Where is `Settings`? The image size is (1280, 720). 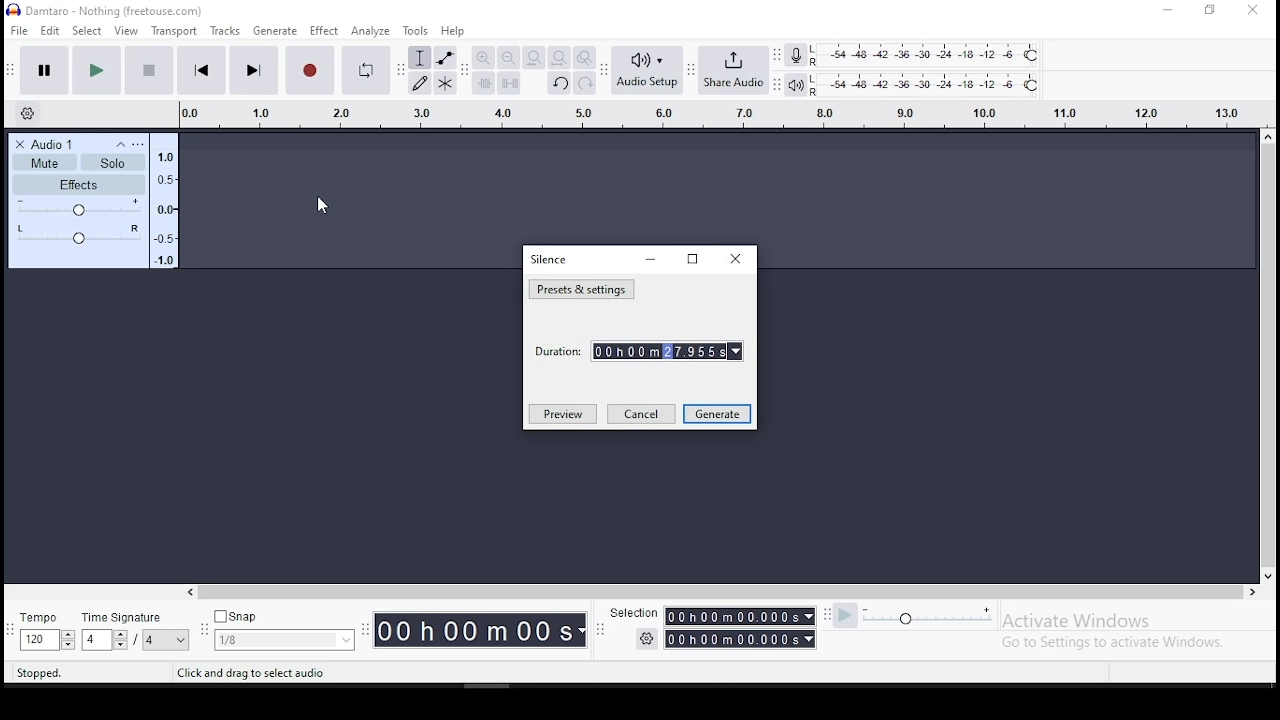
Settings is located at coordinates (129, 143).